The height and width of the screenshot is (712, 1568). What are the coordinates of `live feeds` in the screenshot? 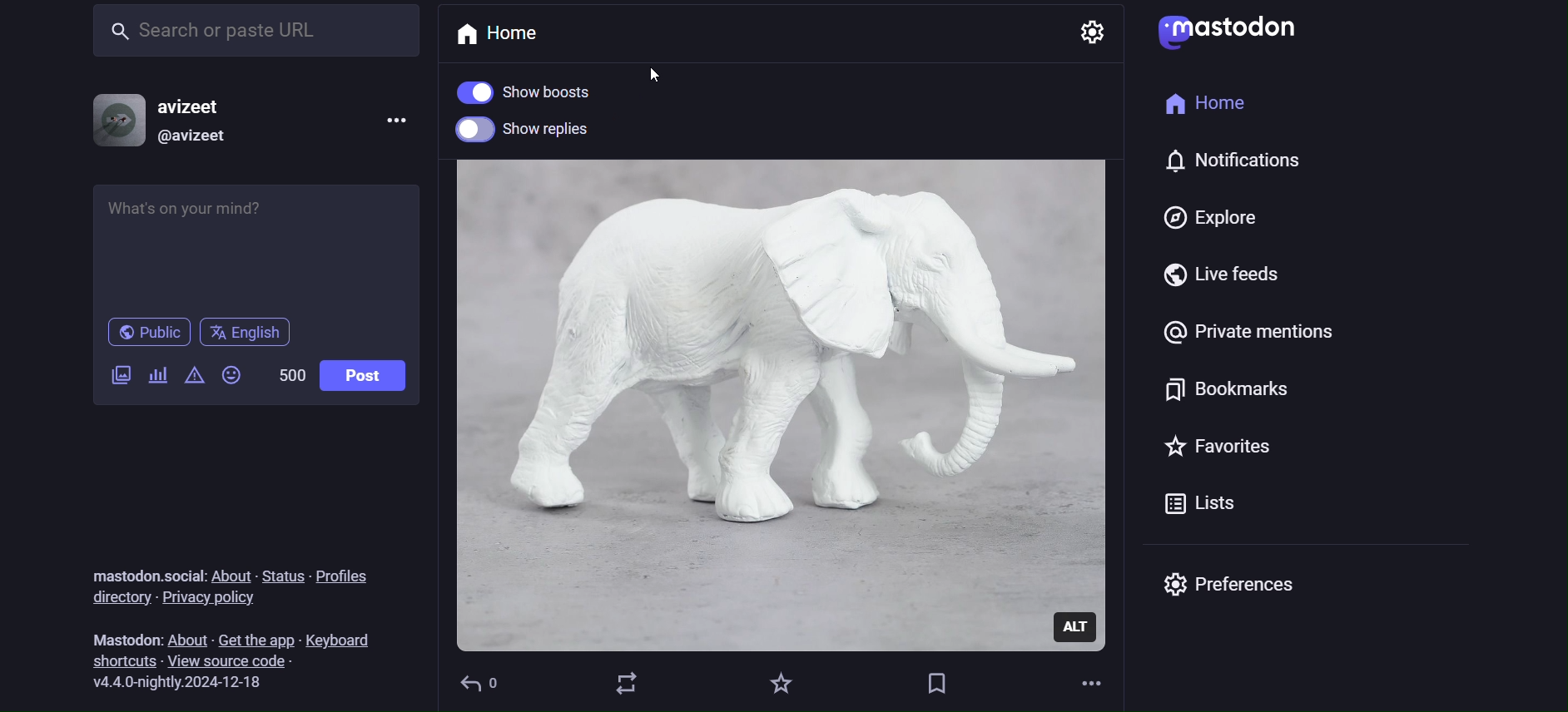 It's located at (1241, 279).